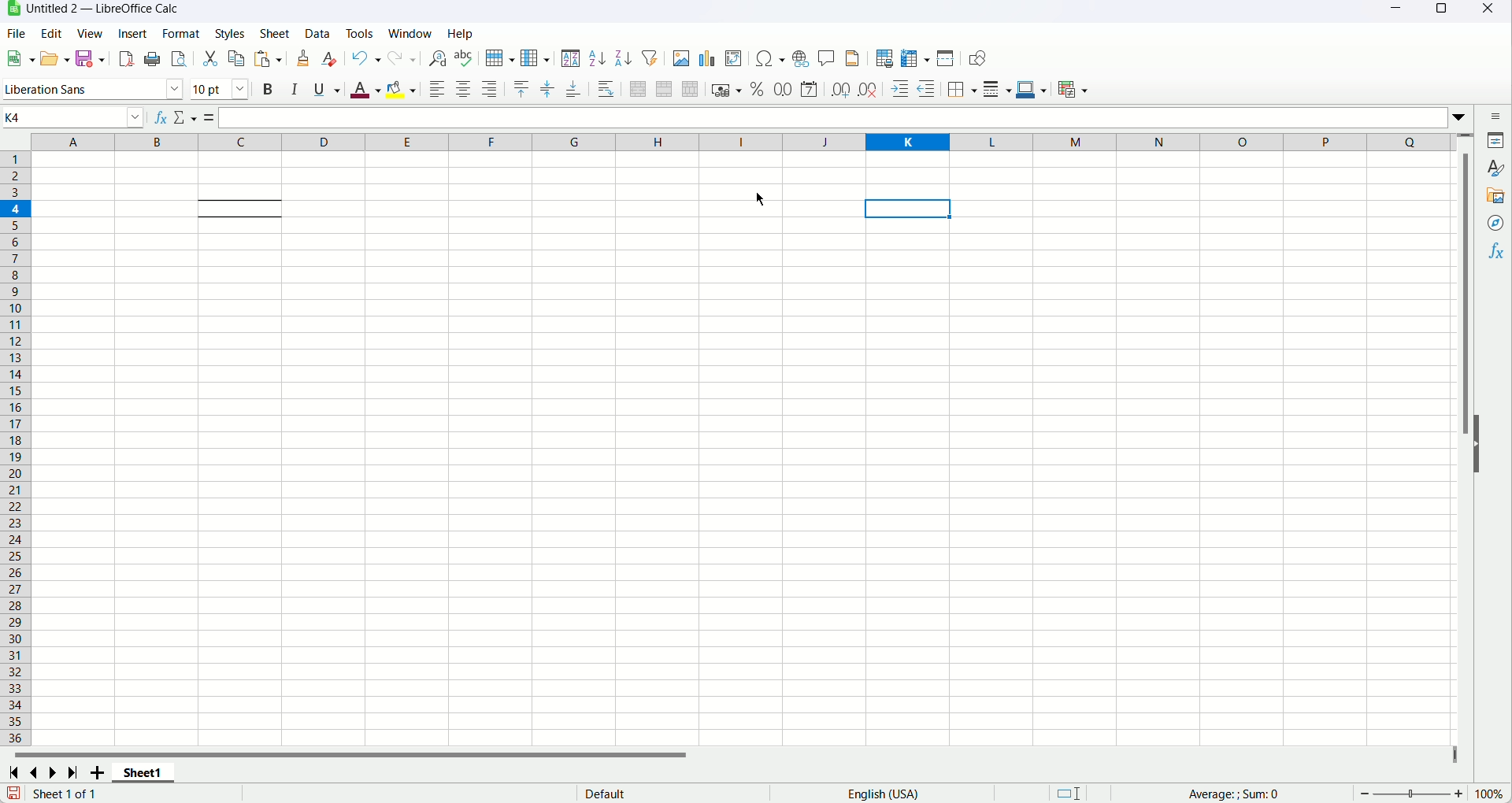  Describe the element at coordinates (274, 34) in the screenshot. I see `Sheet` at that location.